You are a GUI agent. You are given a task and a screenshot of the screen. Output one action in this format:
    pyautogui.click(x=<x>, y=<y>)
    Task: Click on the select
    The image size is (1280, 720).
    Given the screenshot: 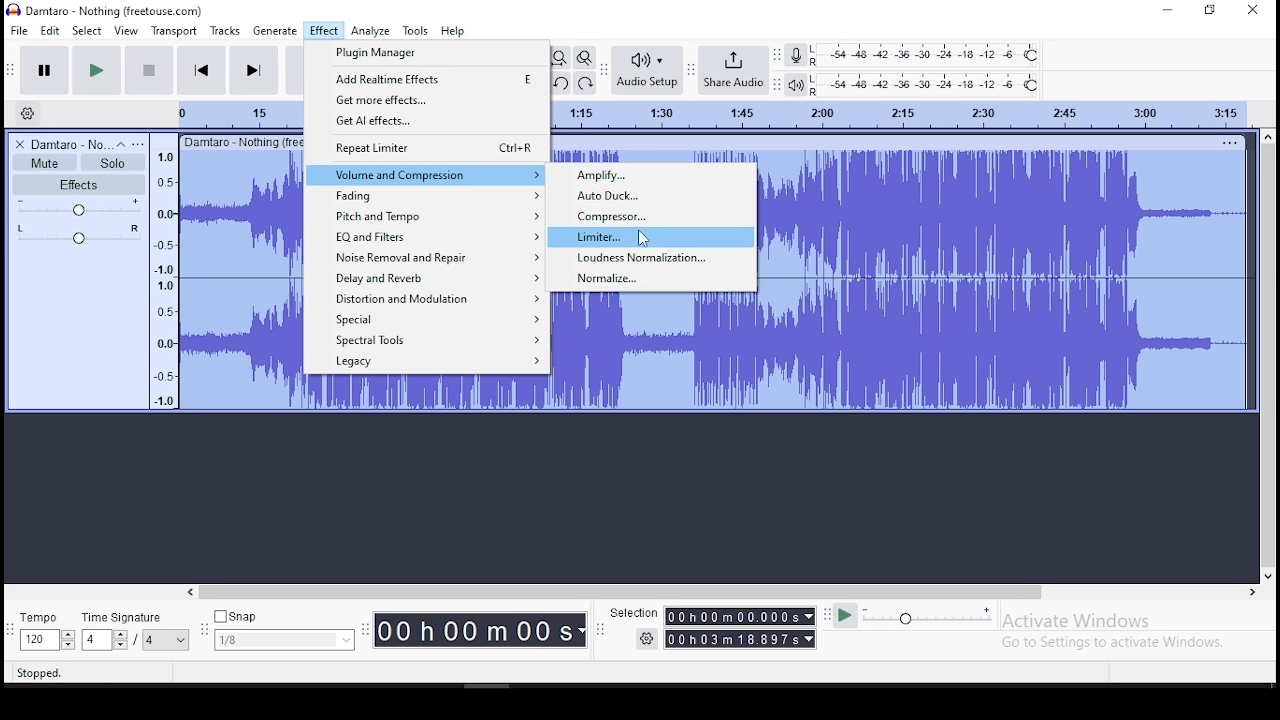 What is the action you would take?
    pyautogui.click(x=87, y=30)
    